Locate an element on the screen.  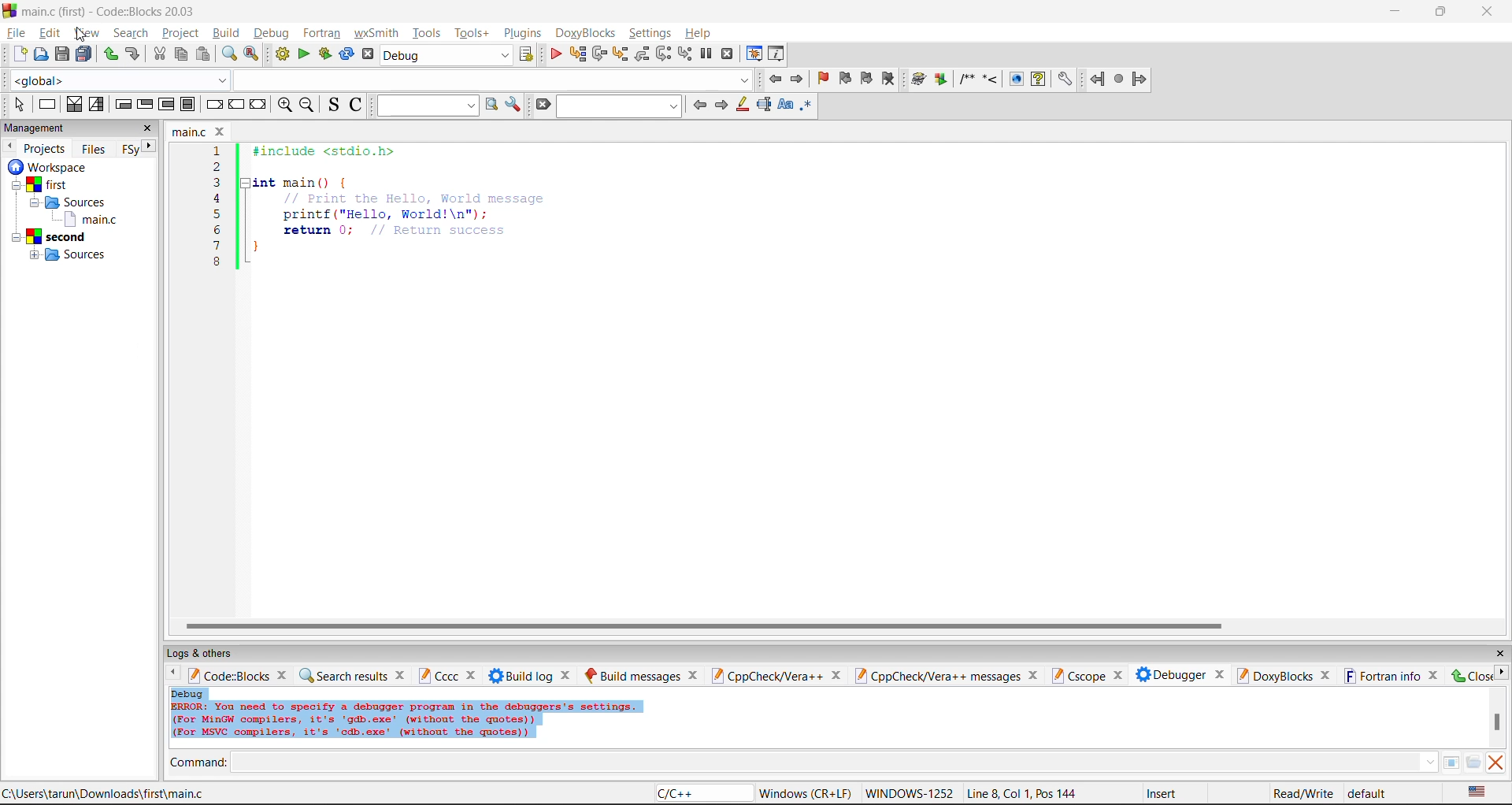
clear output window is located at coordinates (1496, 764).